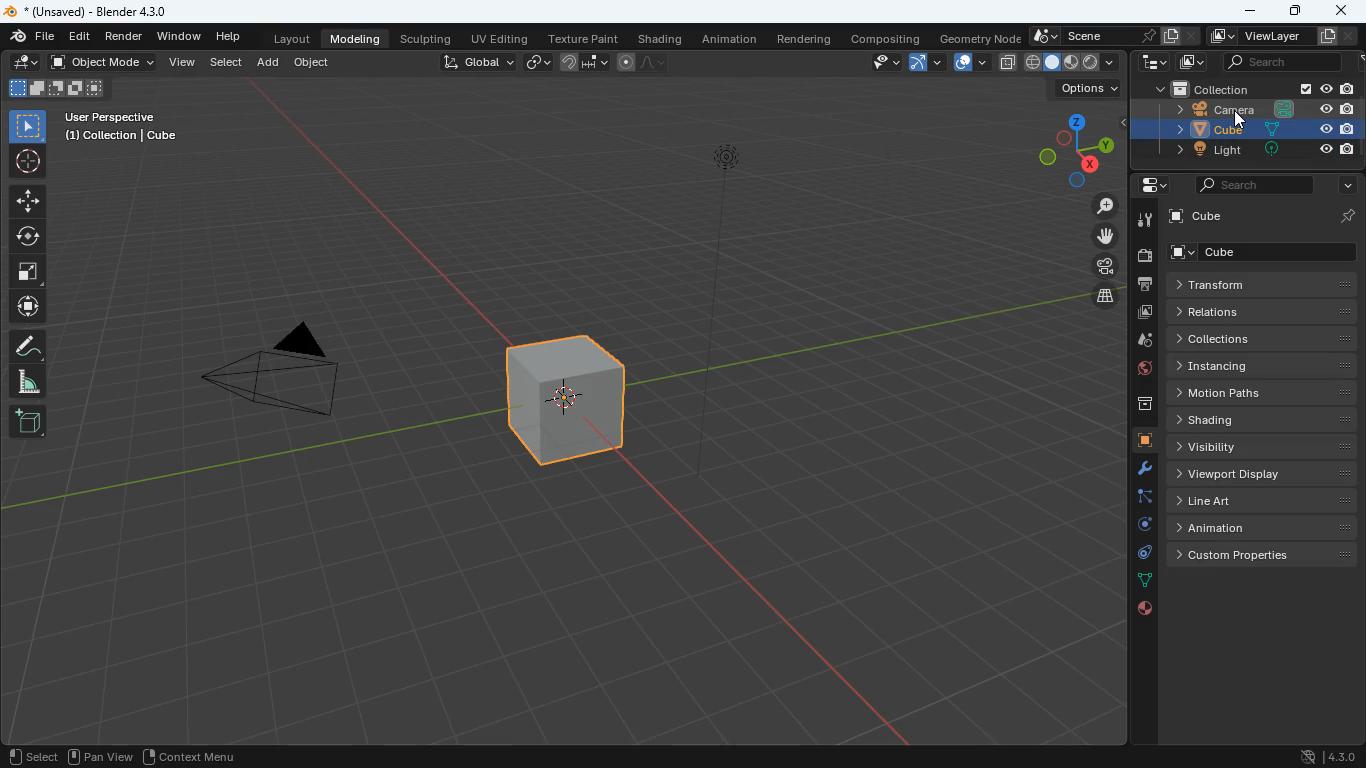  I want to click on draw, so click(641, 64).